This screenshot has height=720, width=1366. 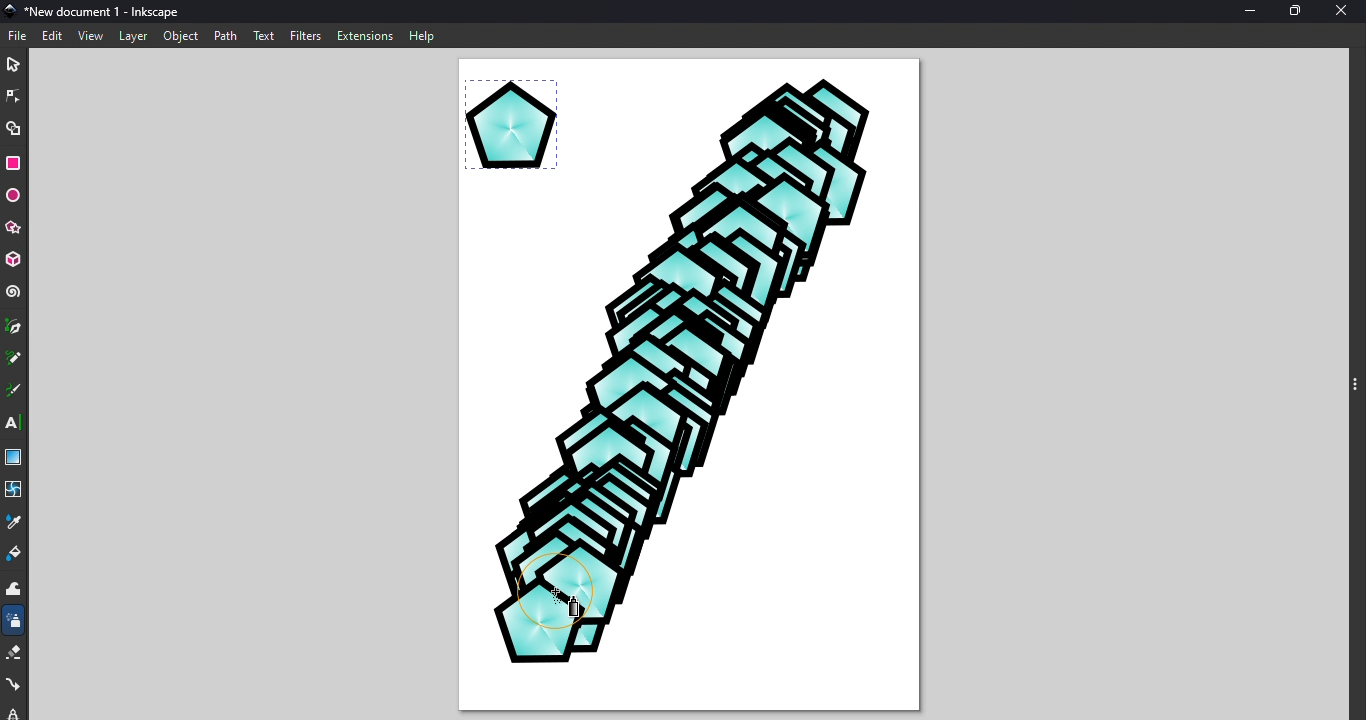 I want to click on Help, so click(x=422, y=35).